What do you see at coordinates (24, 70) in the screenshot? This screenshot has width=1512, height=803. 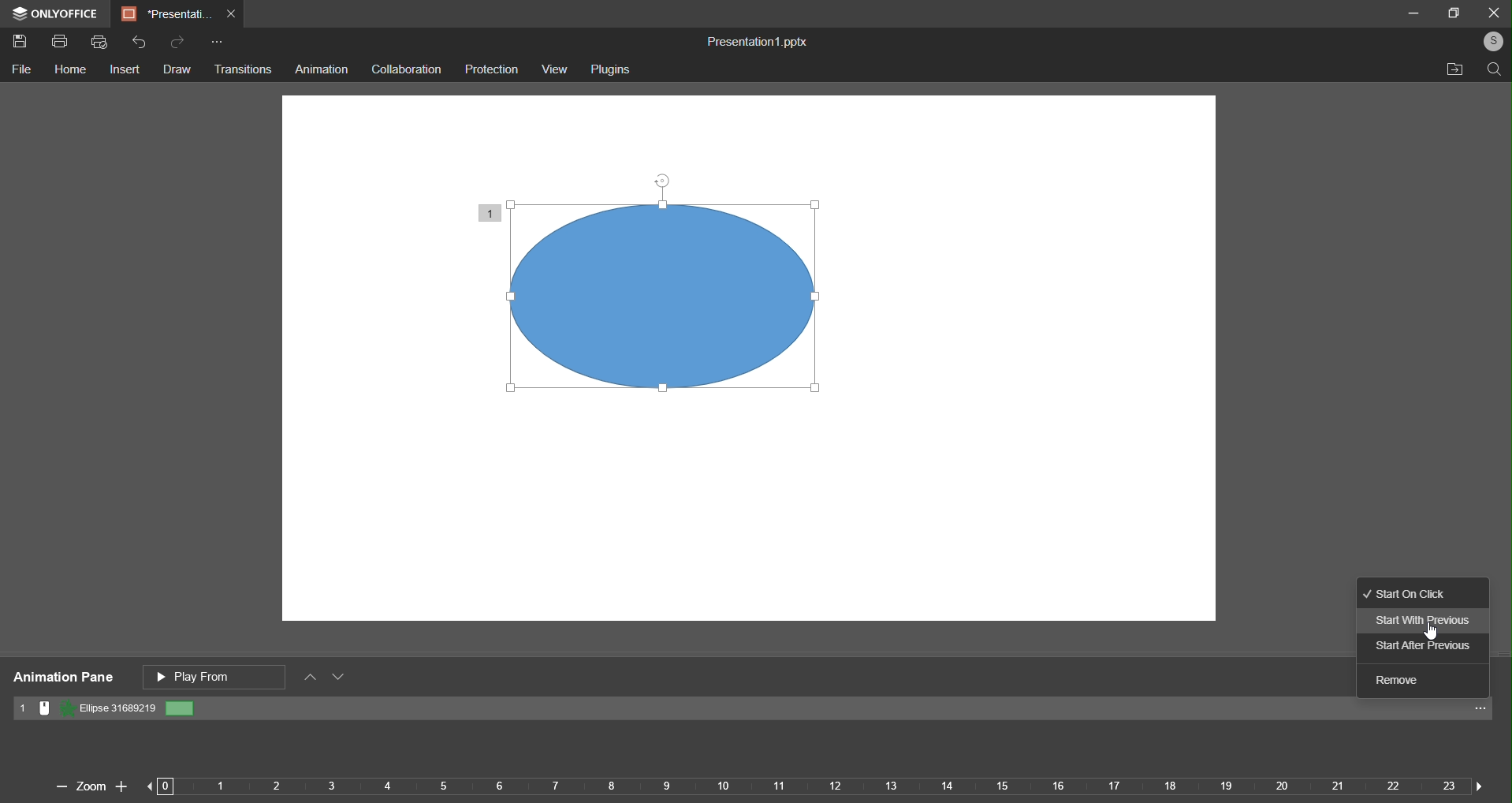 I see `File` at bounding box center [24, 70].